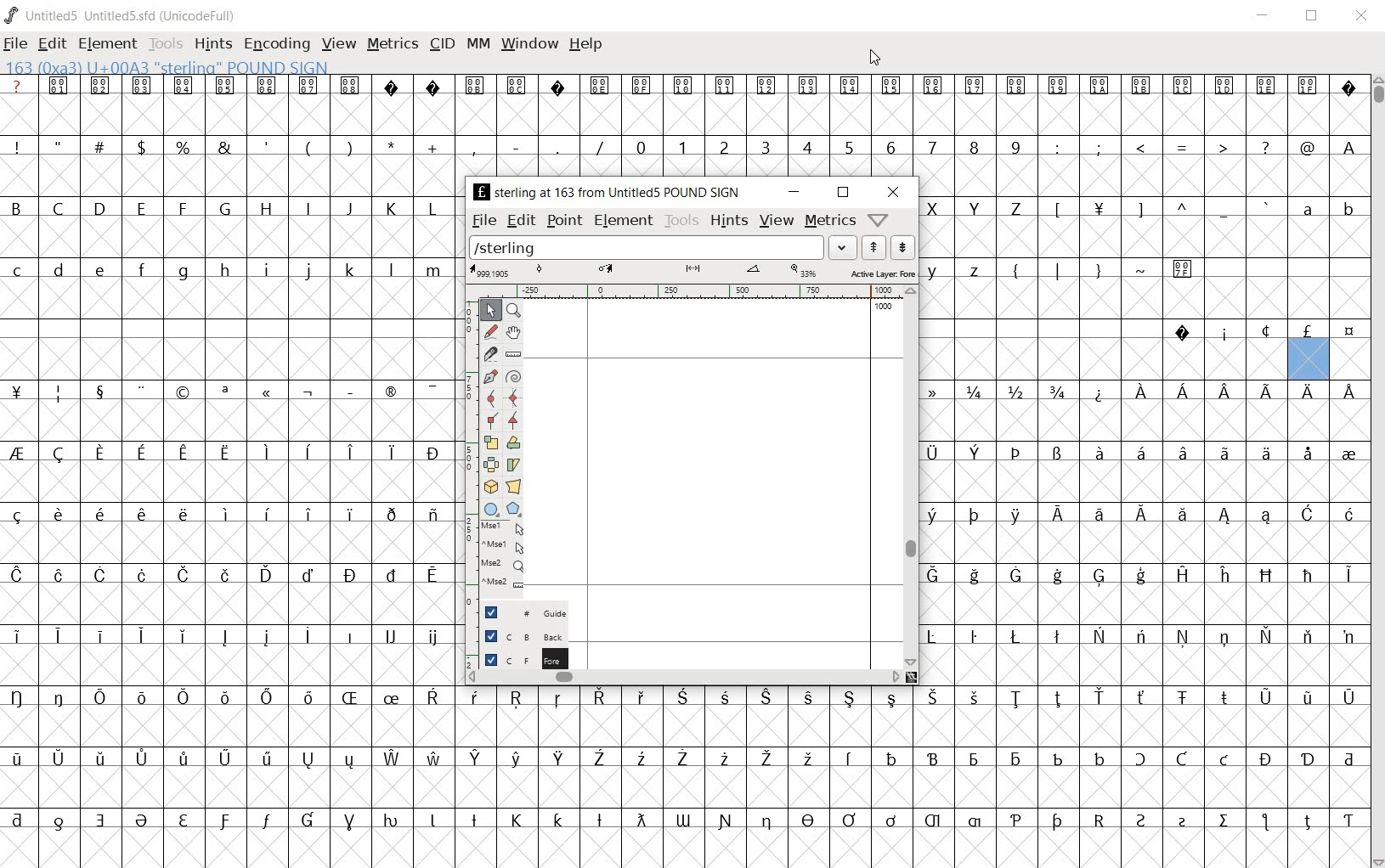 The image size is (1385, 868). I want to click on 1/4, so click(974, 392).